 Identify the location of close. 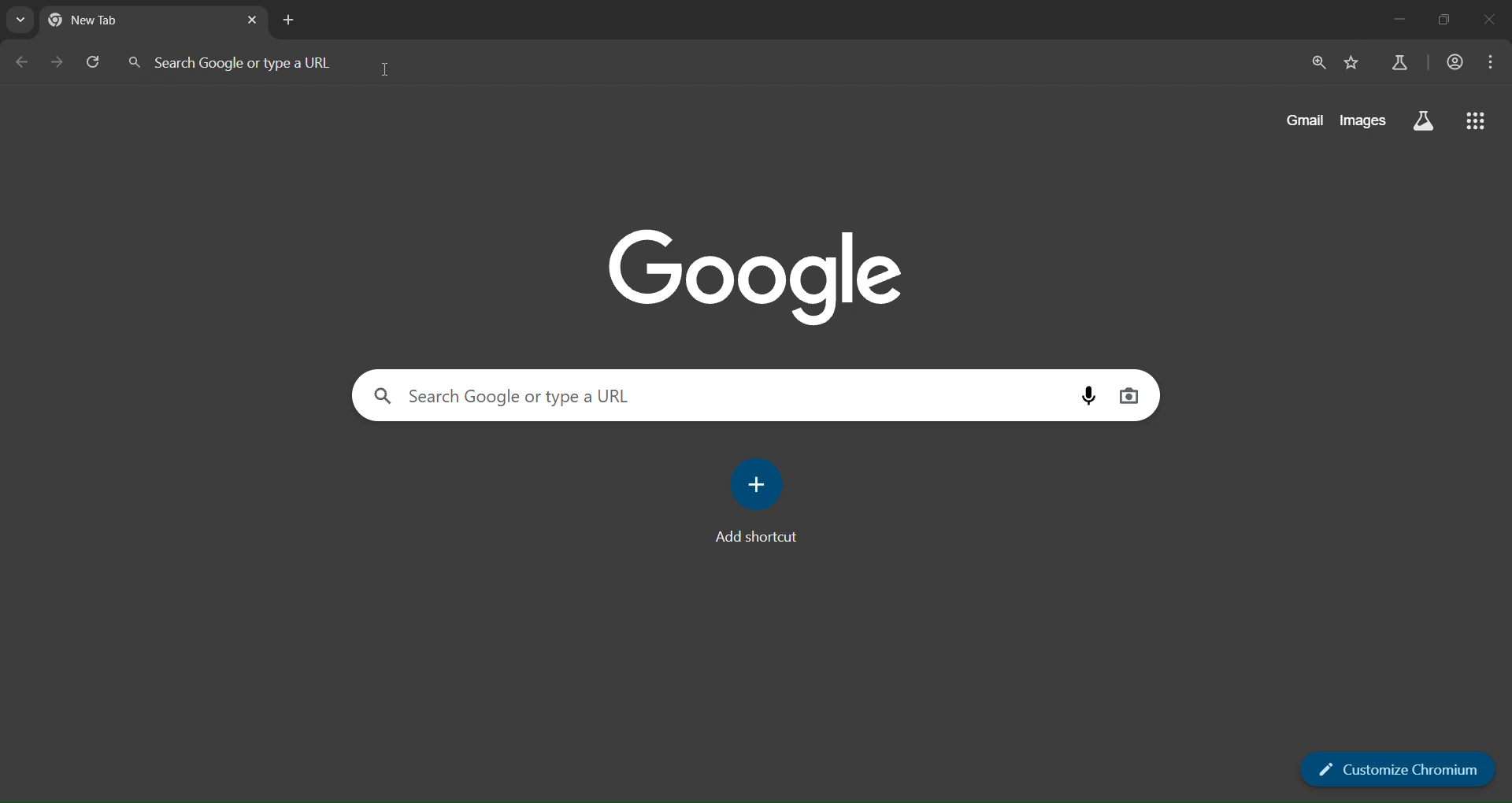
(1488, 18).